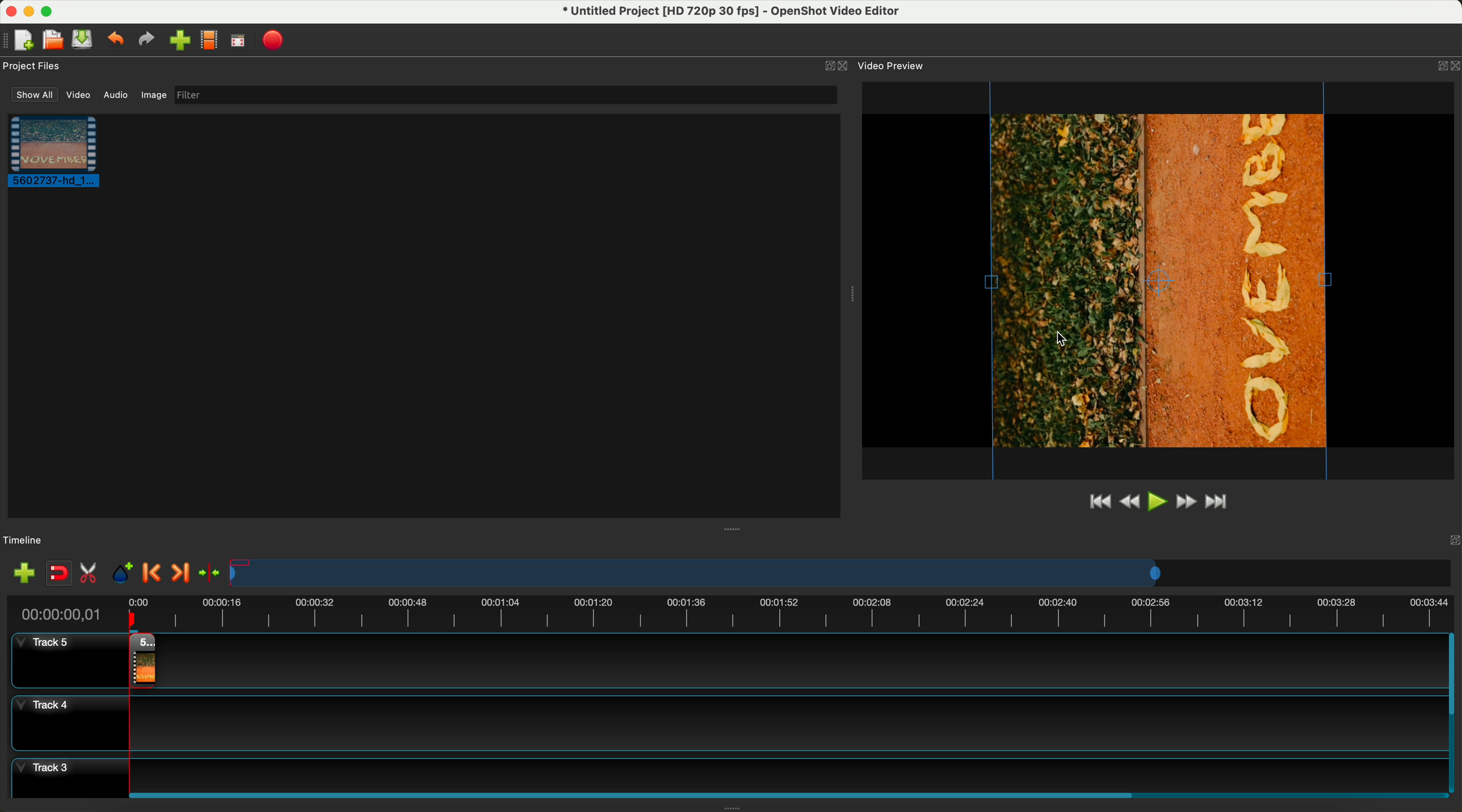  Describe the element at coordinates (78, 96) in the screenshot. I see `video` at that location.